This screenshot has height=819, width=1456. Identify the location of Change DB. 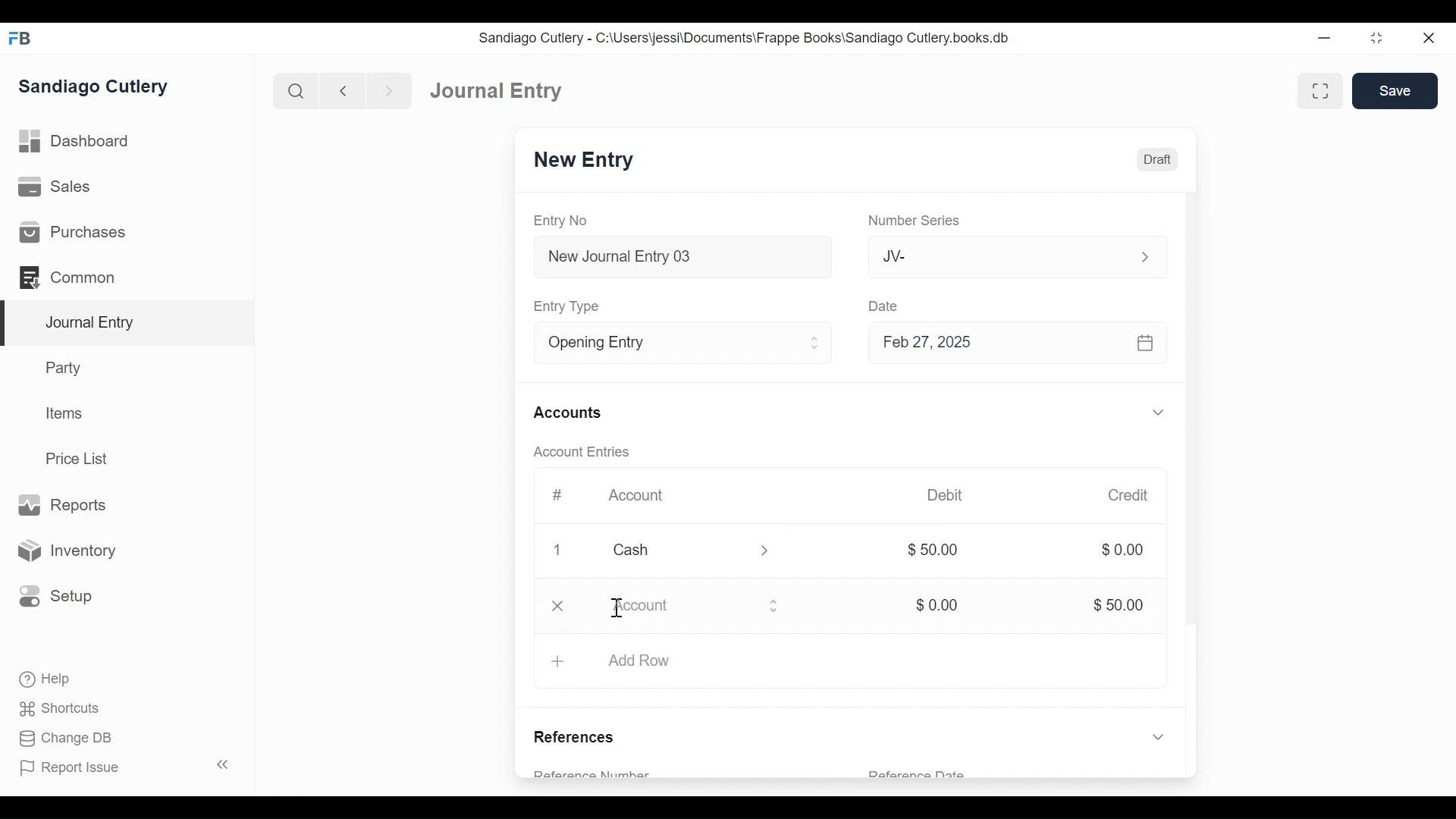
(64, 739).